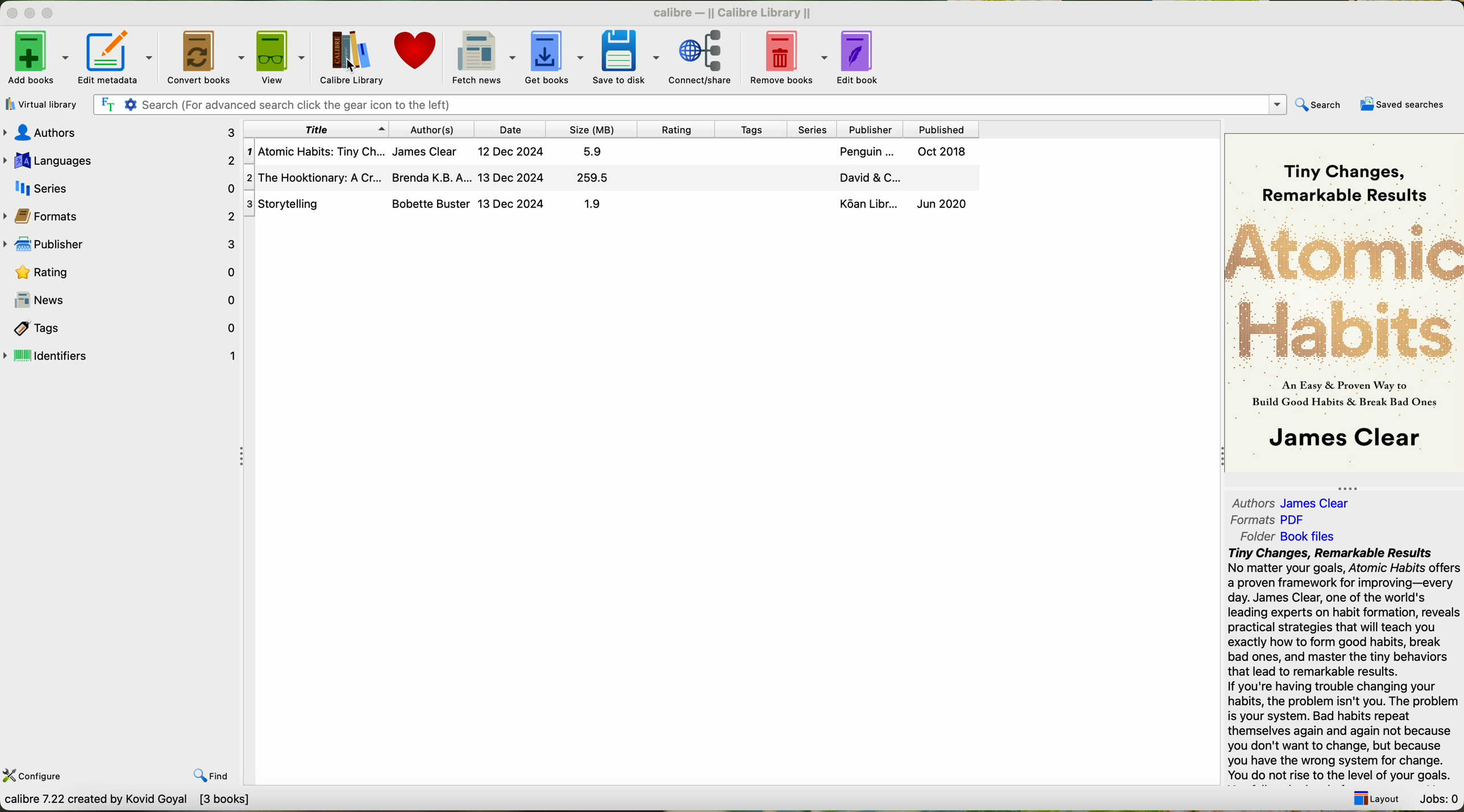 This screenshot has width=1464, height=812. I want to click on Minimize, so click(31, 14).